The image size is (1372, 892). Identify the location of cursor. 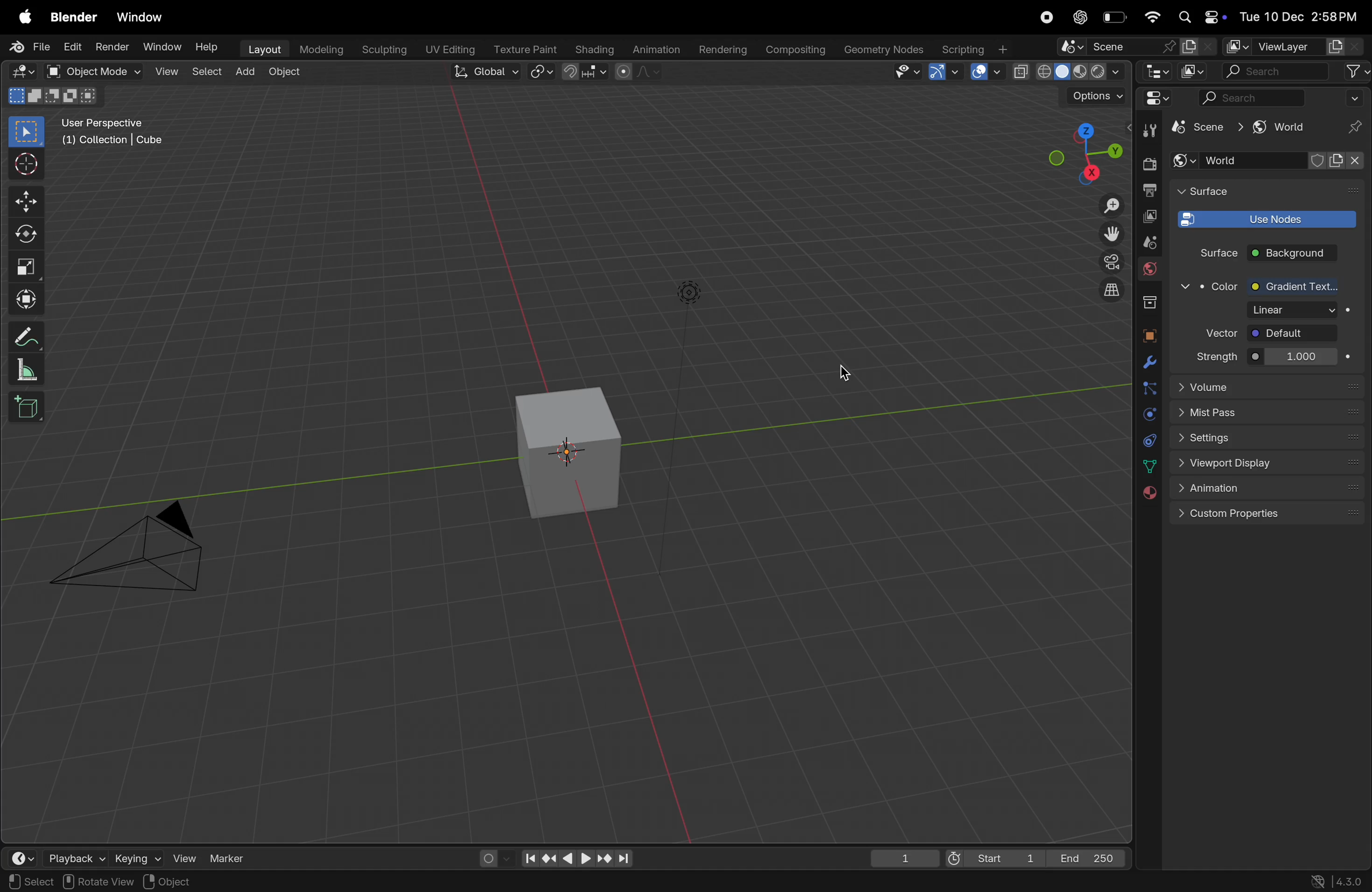
(27, 163).